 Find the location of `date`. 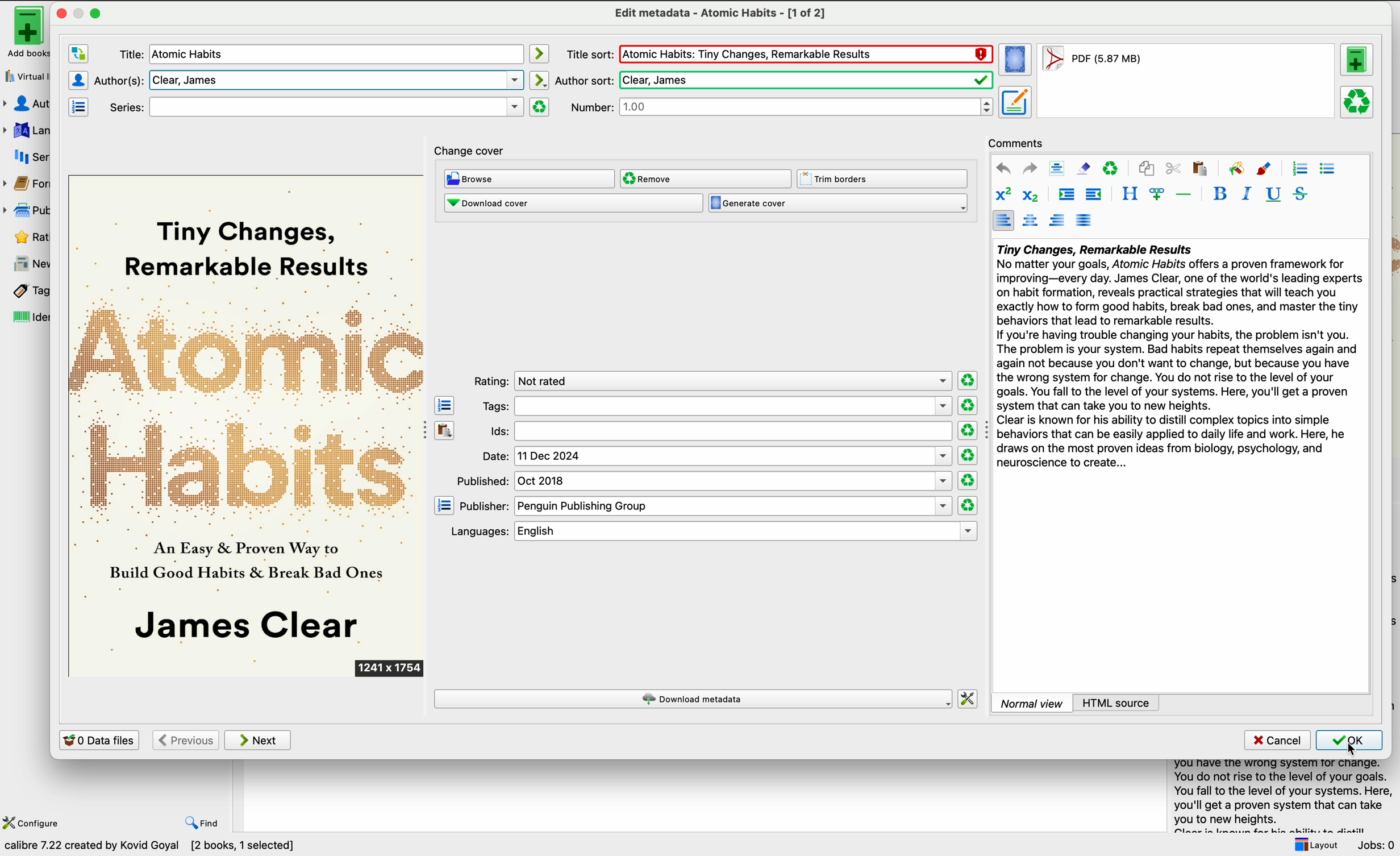

date is located at coordinates (716, 456).